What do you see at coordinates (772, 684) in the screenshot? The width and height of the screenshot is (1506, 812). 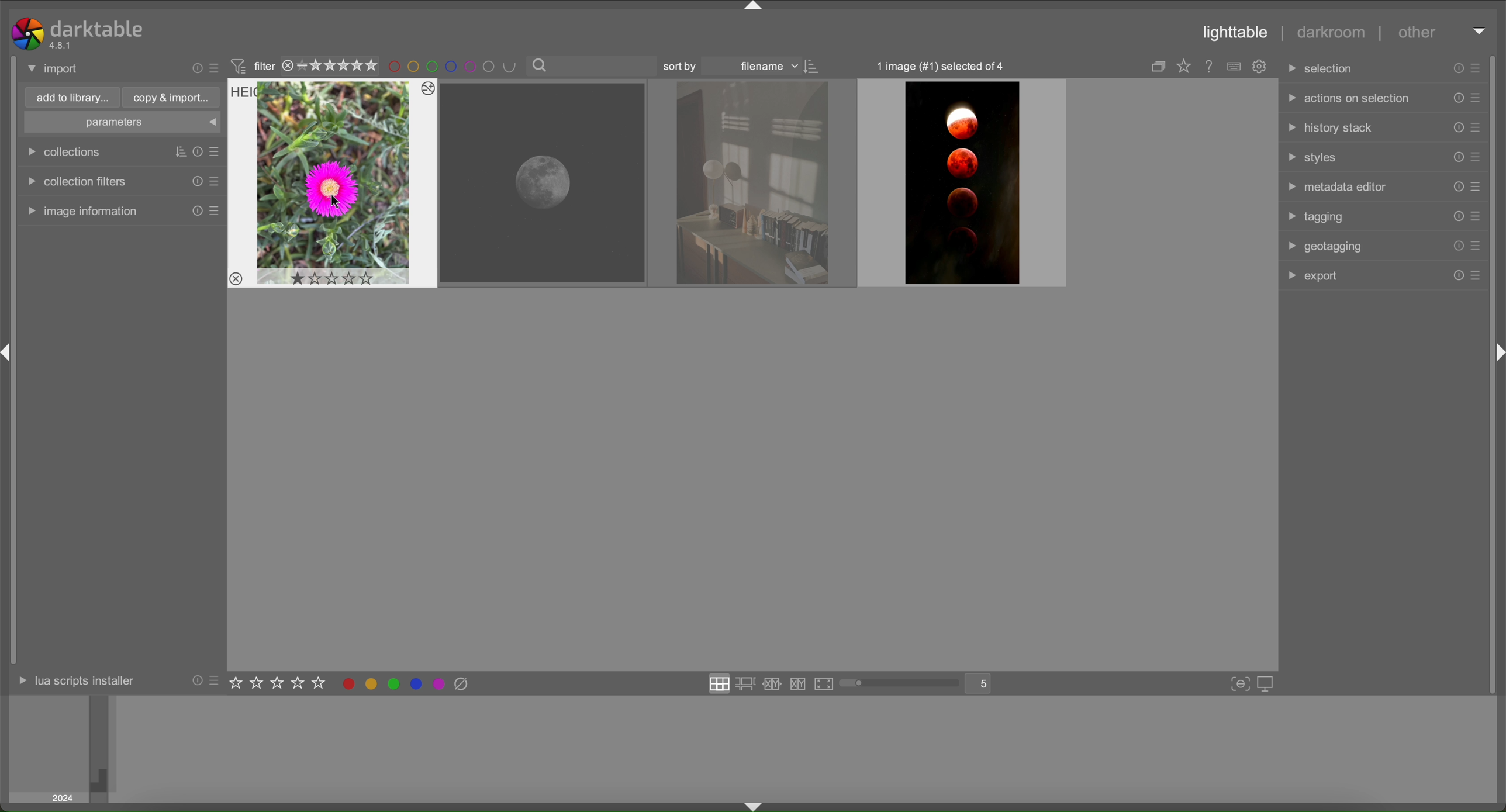 I see `cullying layout in fixed mode` at bounding box center [772, 684].